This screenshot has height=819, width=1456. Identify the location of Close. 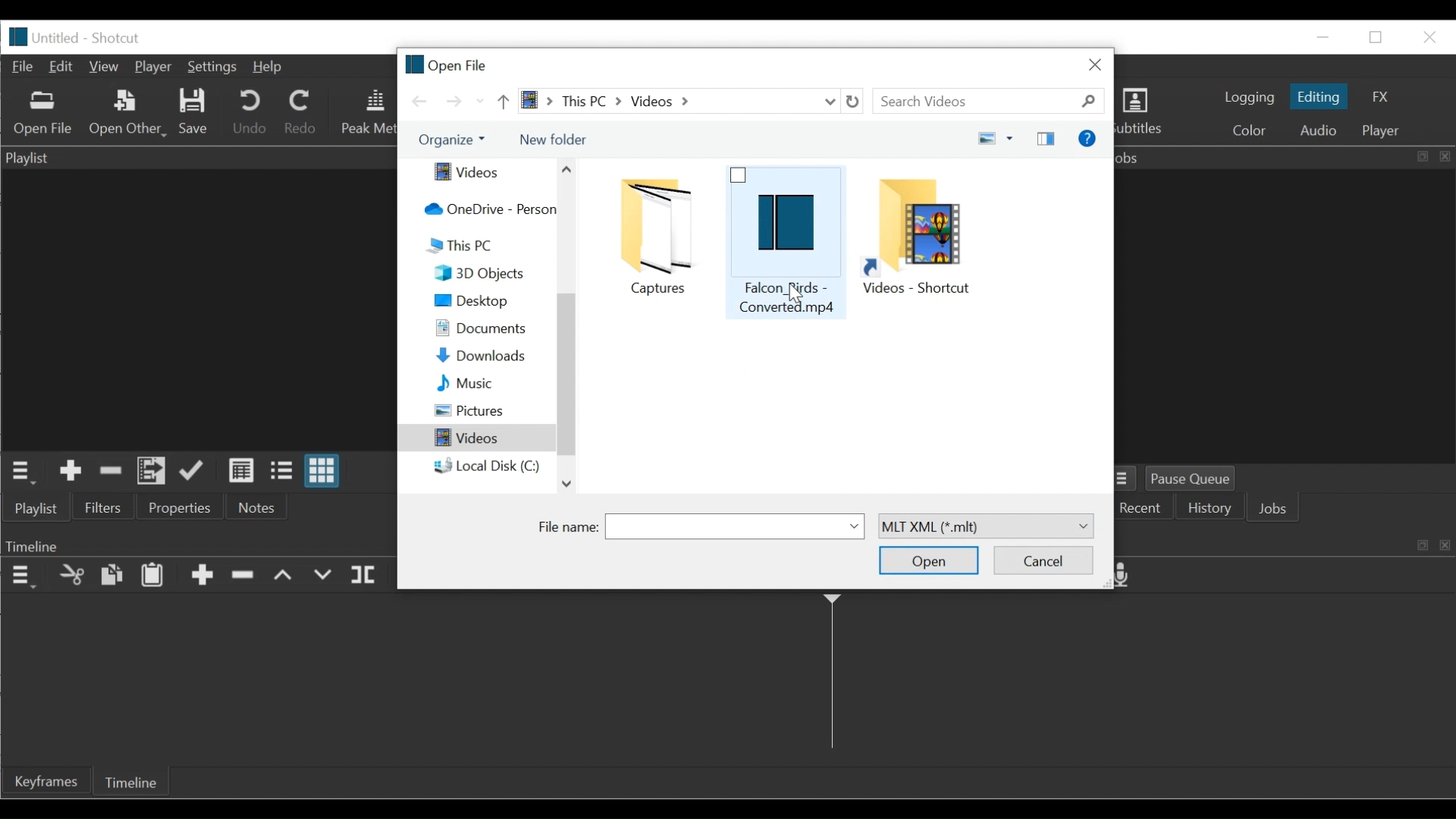
(1096, 64).